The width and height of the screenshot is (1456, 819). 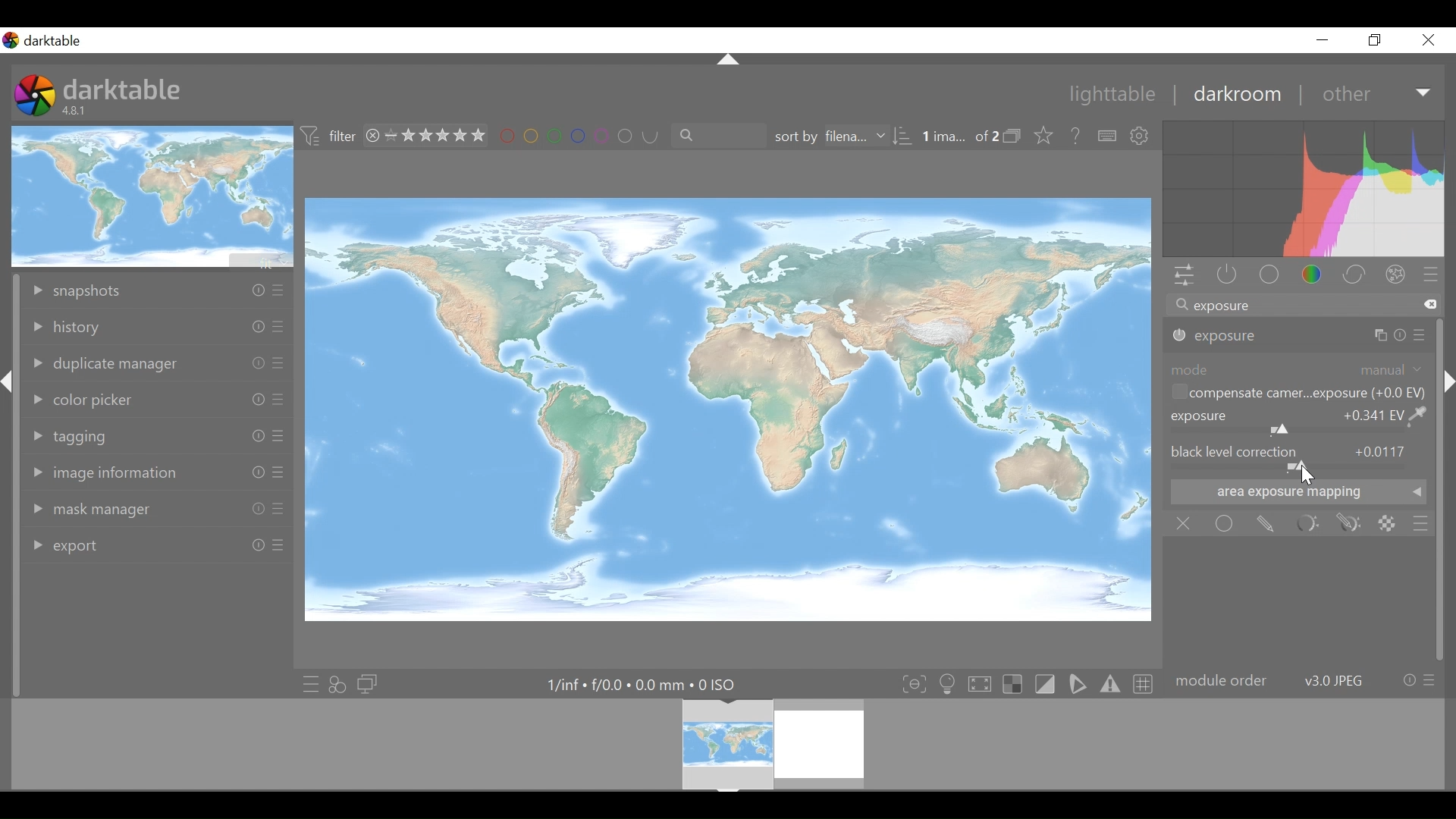 What do you see at coordinates (1225, 522) in the screenshot?
I see `uniform` at bounding box center [1225, 522].